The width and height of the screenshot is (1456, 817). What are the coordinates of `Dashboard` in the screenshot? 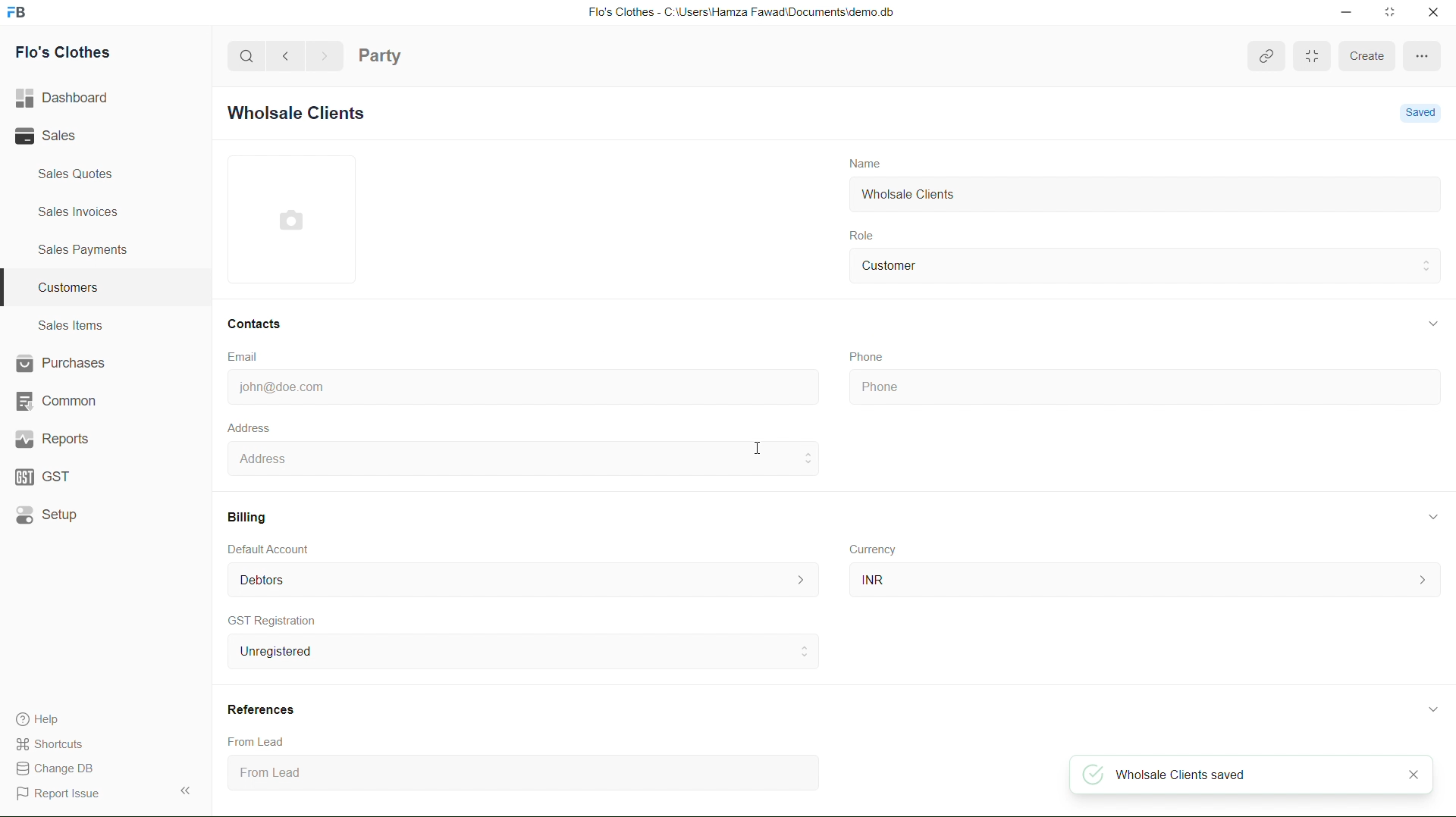 It's located at (67, 95).